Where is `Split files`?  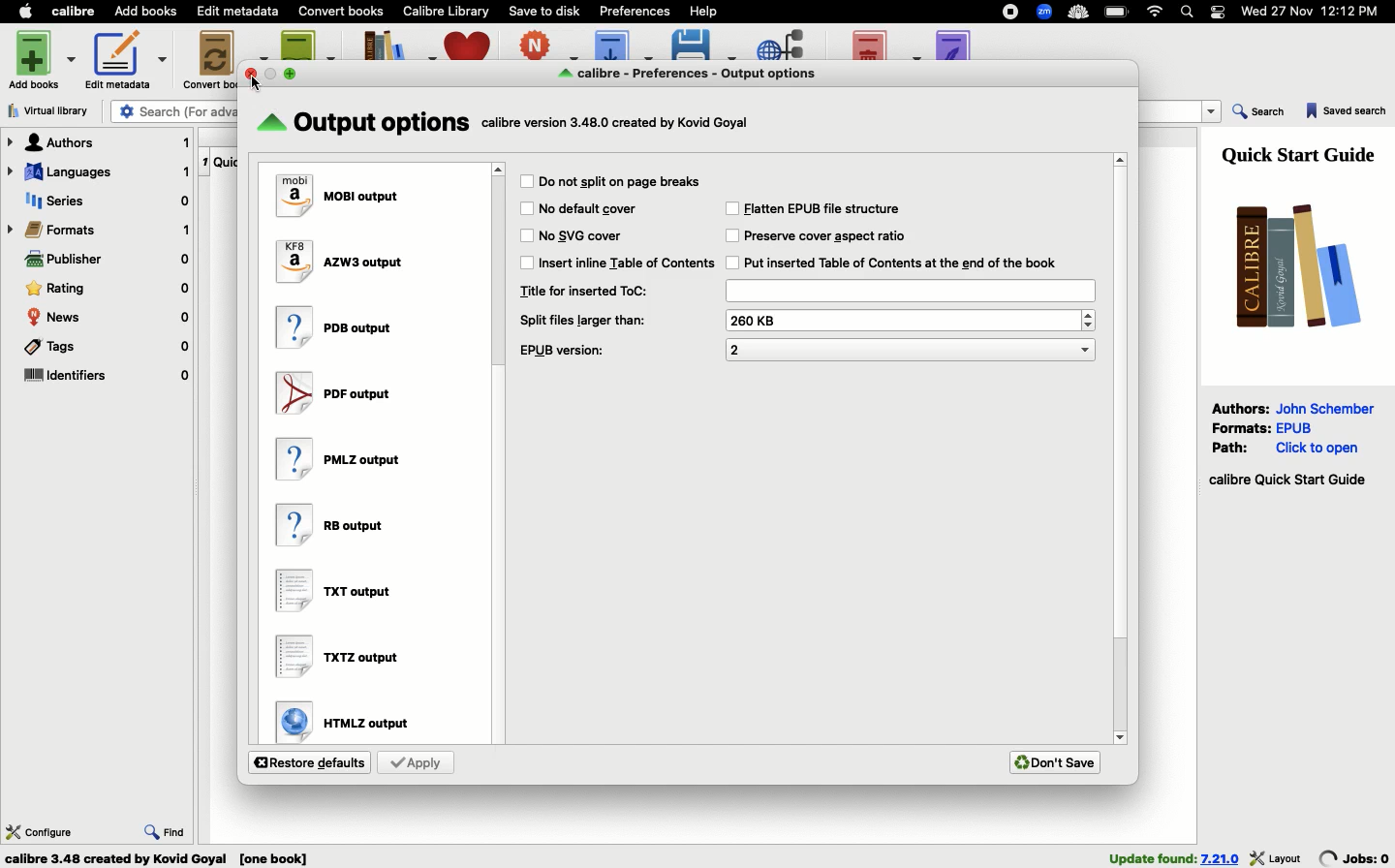
Split files is located at coordinates (907, 320).